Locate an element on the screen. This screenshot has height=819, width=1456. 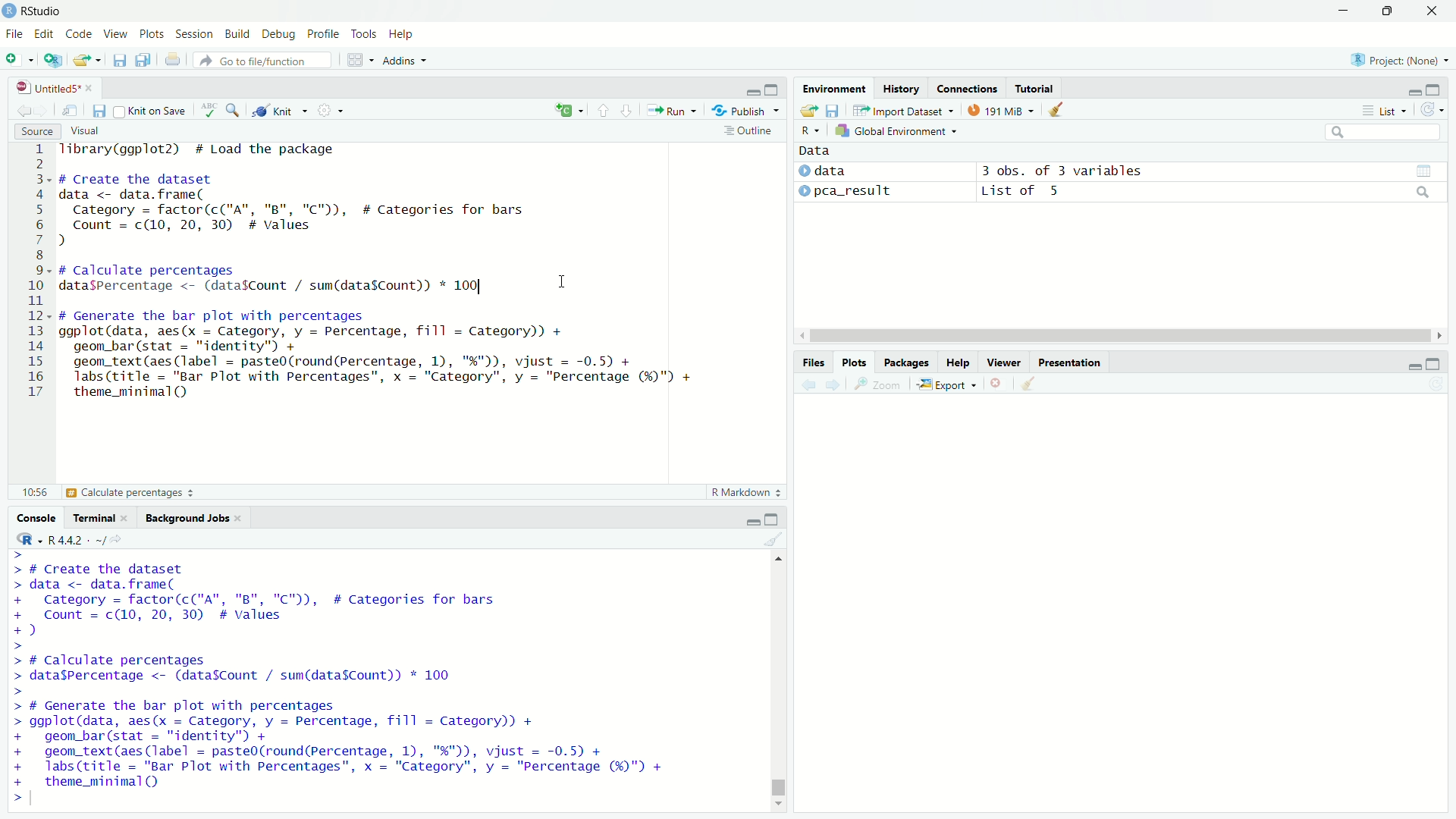
vertical scrollbar is located at coordinates (776, 762).